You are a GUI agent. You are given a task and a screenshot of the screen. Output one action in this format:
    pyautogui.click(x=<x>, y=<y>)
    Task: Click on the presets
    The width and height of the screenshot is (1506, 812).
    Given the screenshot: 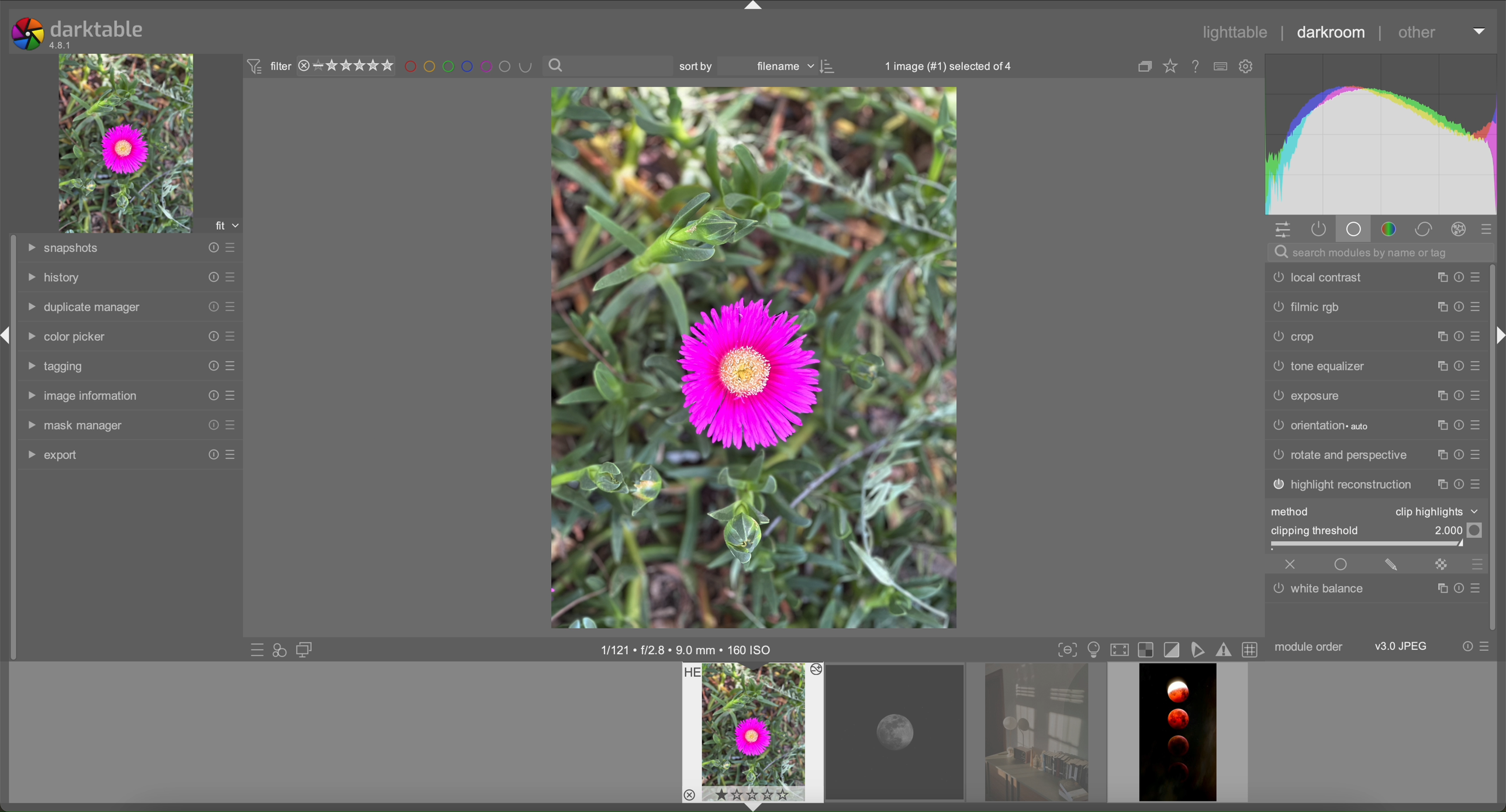 What is the action you would take?
    pyautogui.click(x=1479, y=455)
    